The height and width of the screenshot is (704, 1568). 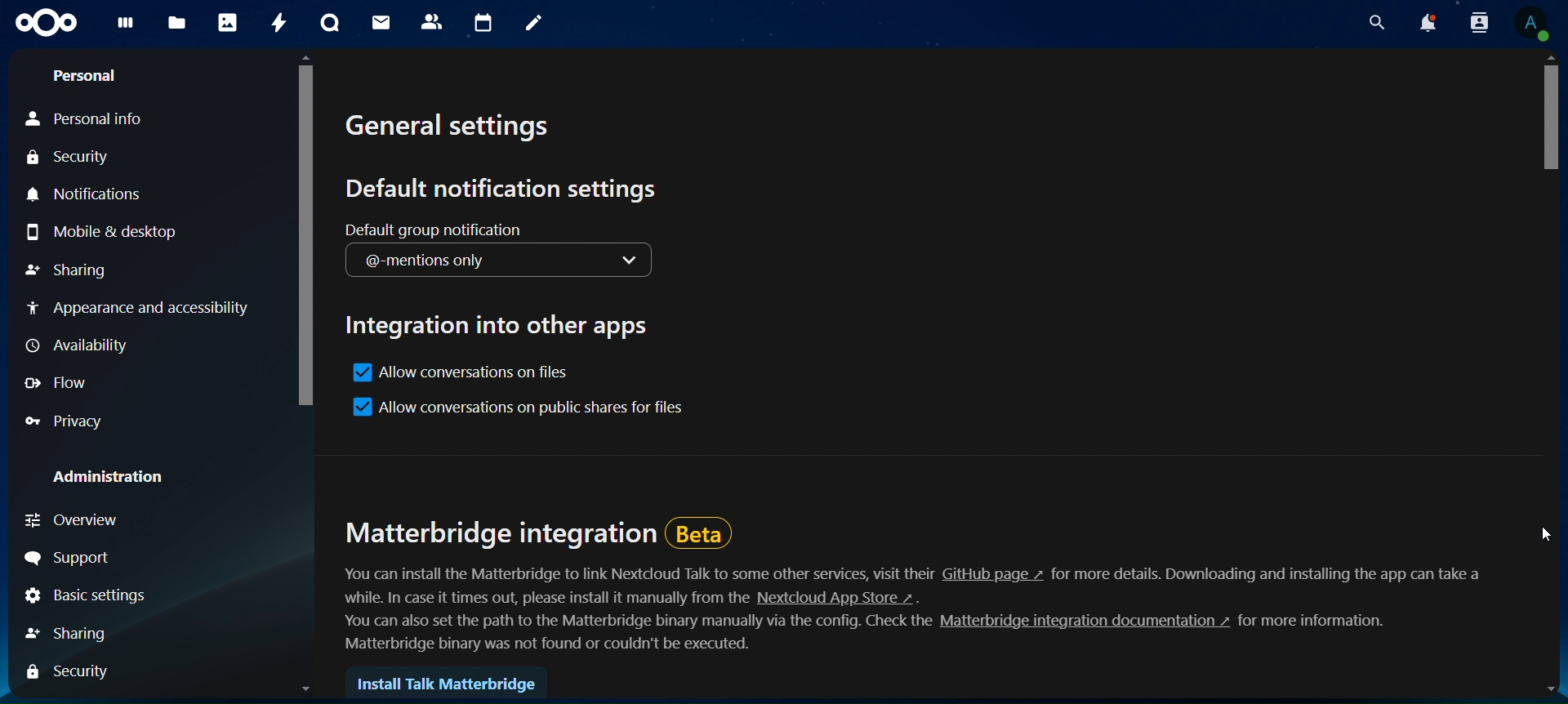 What do you see at coordinates (1379, 23) in the screenshot?
I see `search` at bounding box center [1379, 23].